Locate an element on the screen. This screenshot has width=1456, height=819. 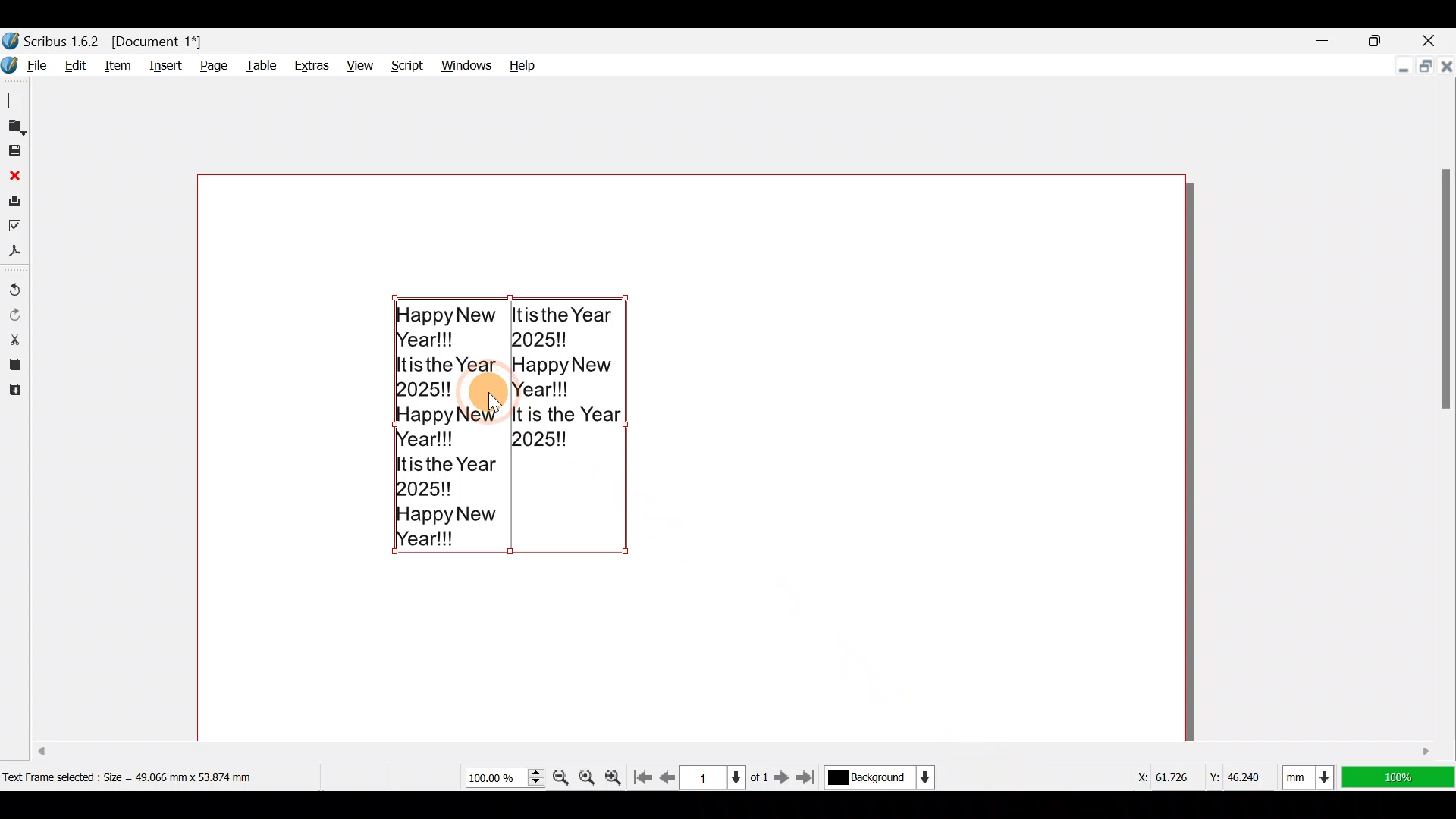
Page is located at coordinates (210, 65).